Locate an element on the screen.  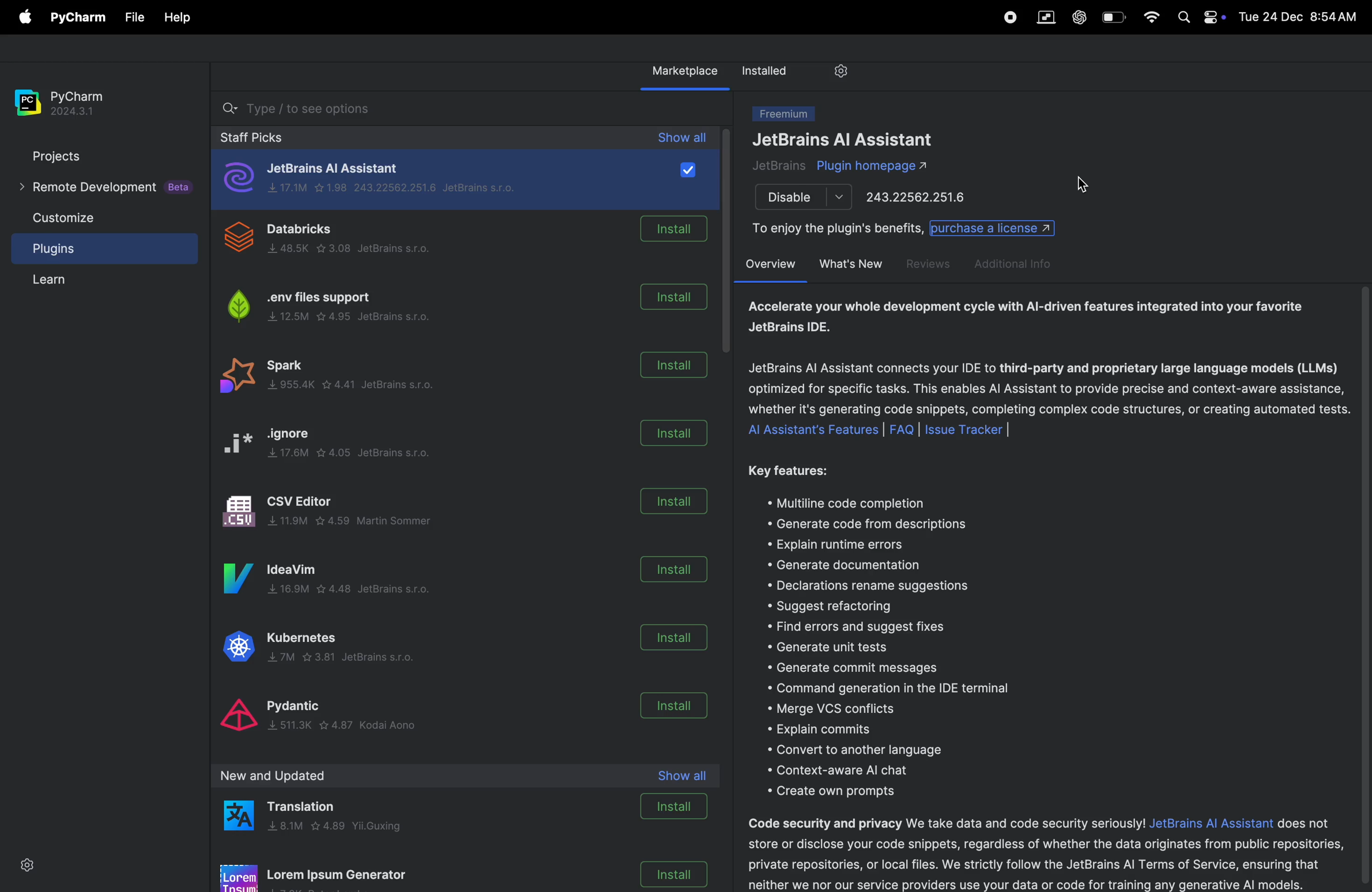
File is located at coordinates (133, 18).